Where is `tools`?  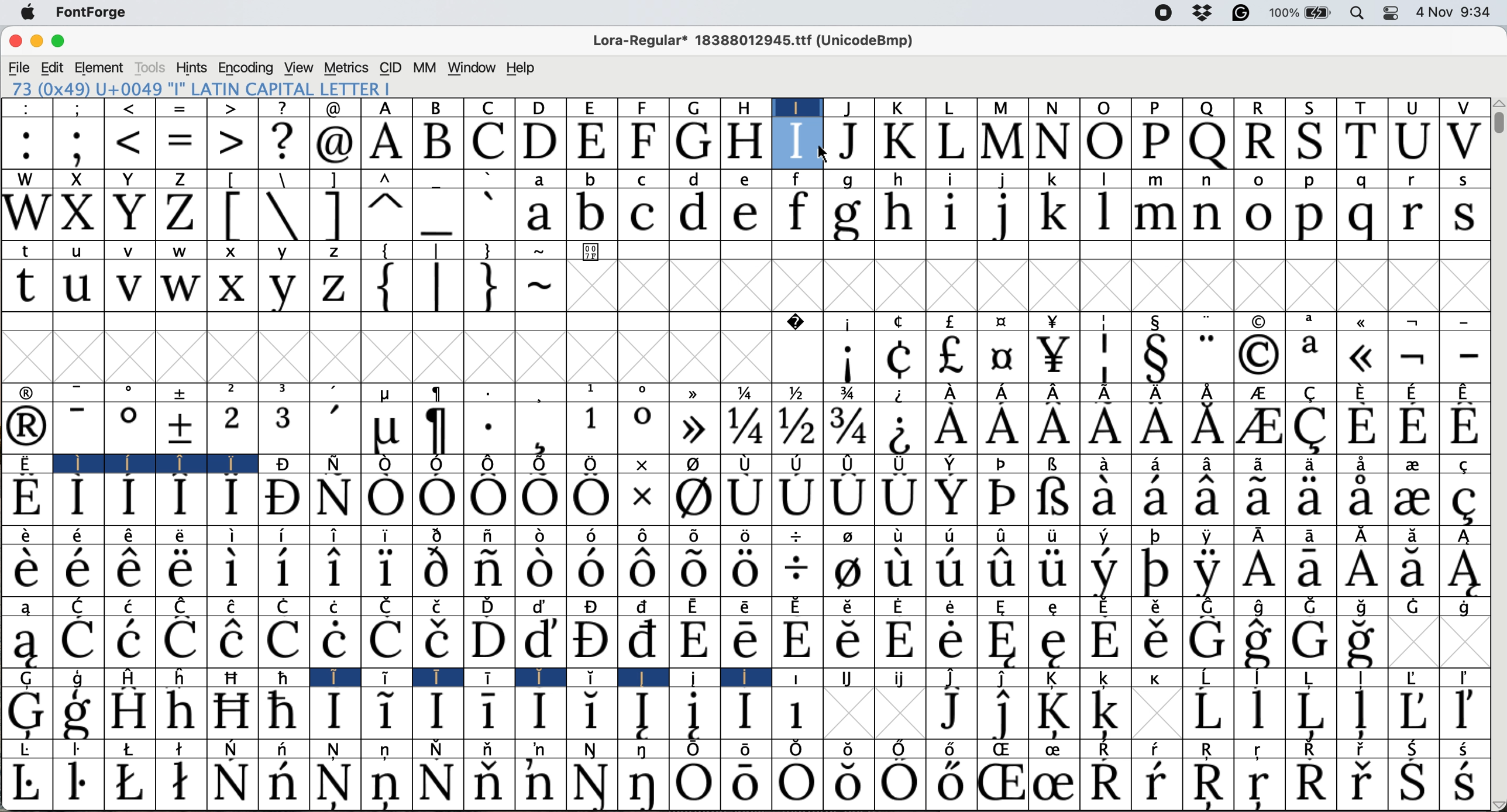
tools is located at coordinates (149, 68).